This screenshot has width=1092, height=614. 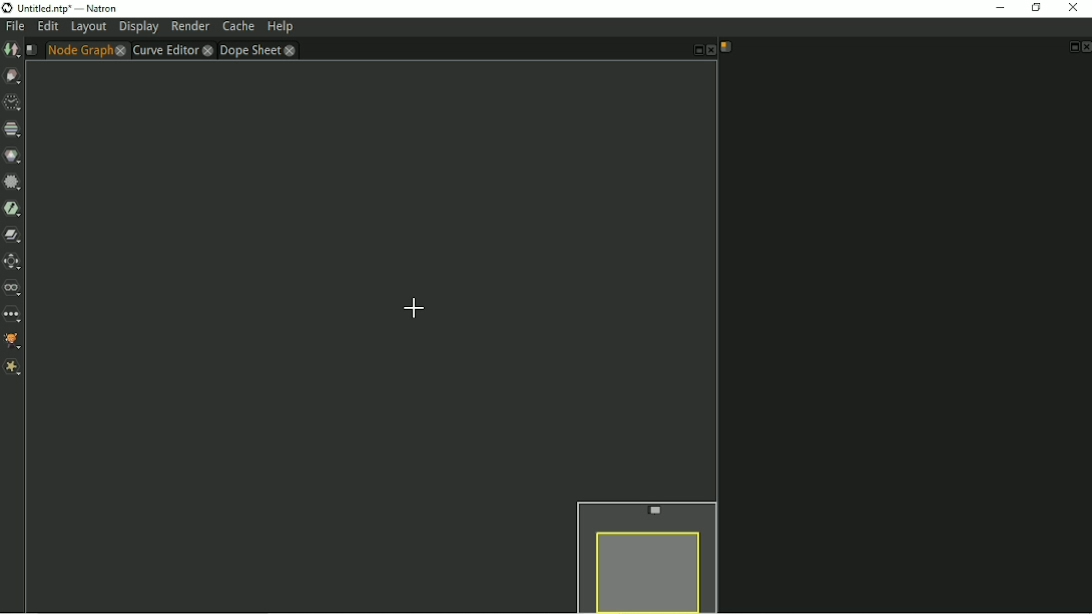 What do you see at coordinates (726, 47) in the screenshot?
I see `Script name` at bounding box center [726, 47].